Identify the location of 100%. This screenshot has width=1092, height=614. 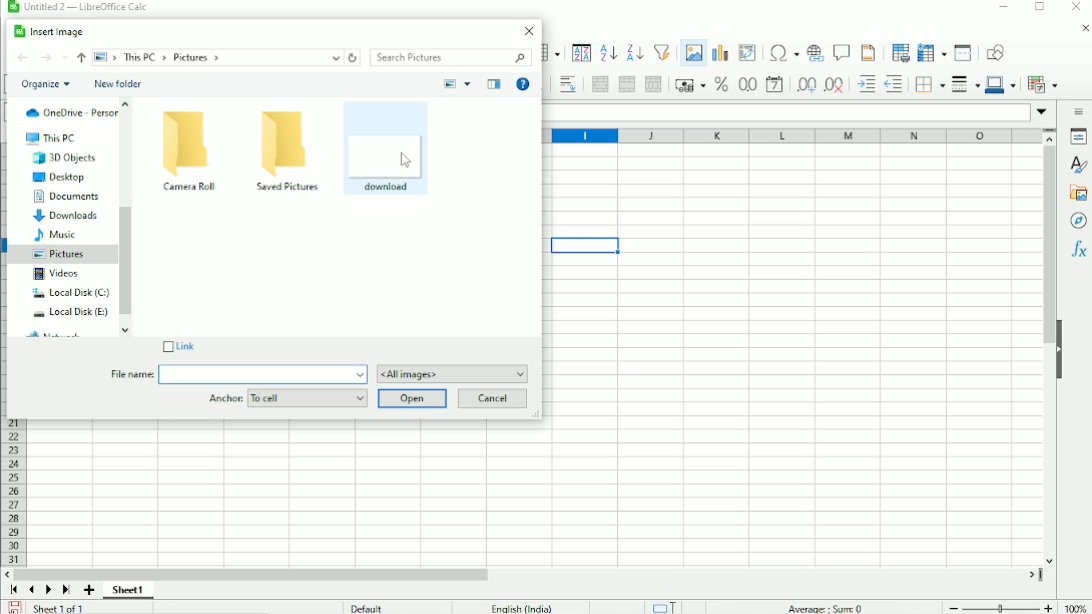
(1077, 608).